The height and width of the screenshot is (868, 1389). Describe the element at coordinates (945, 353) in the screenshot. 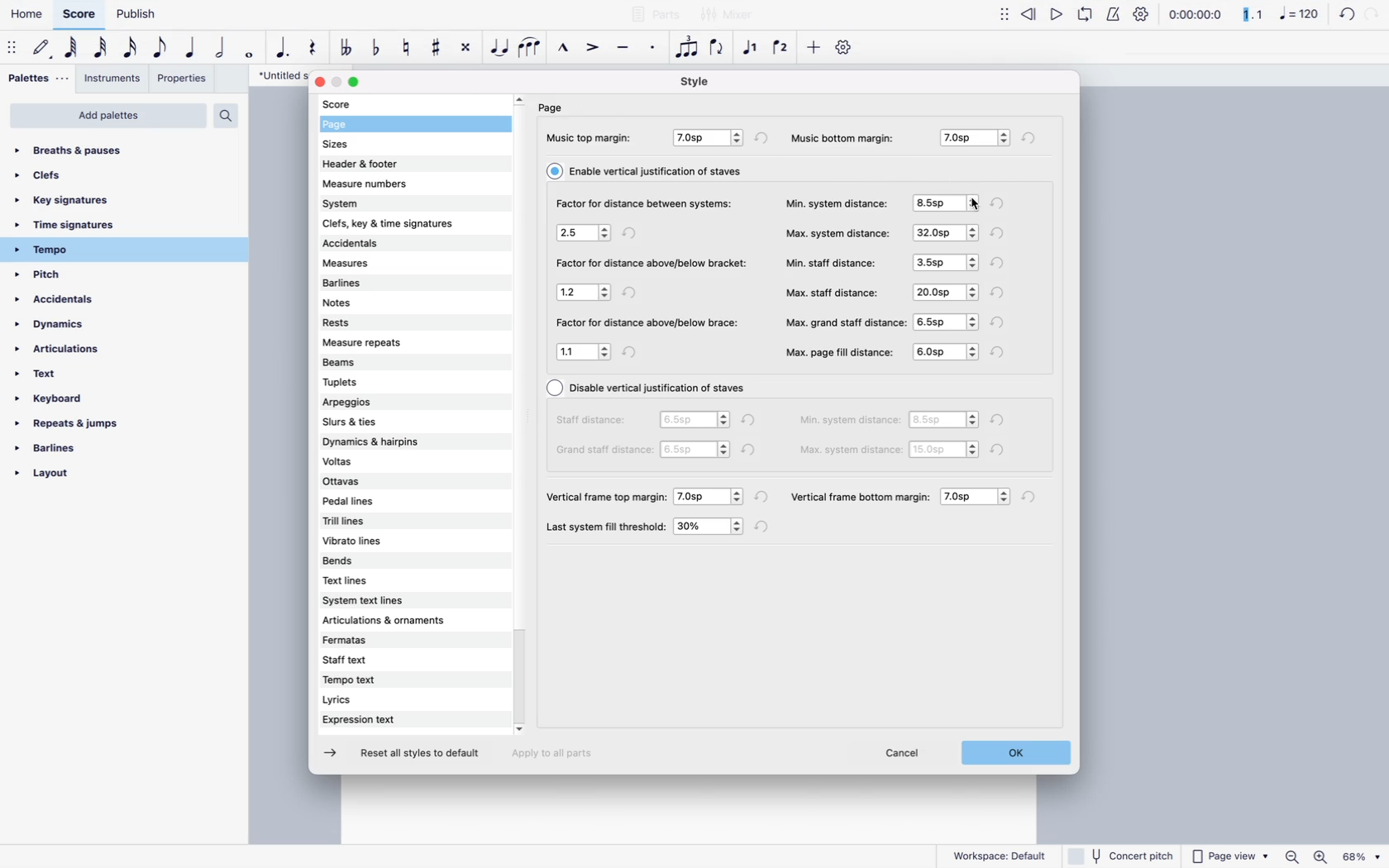

I see `options` at that location.